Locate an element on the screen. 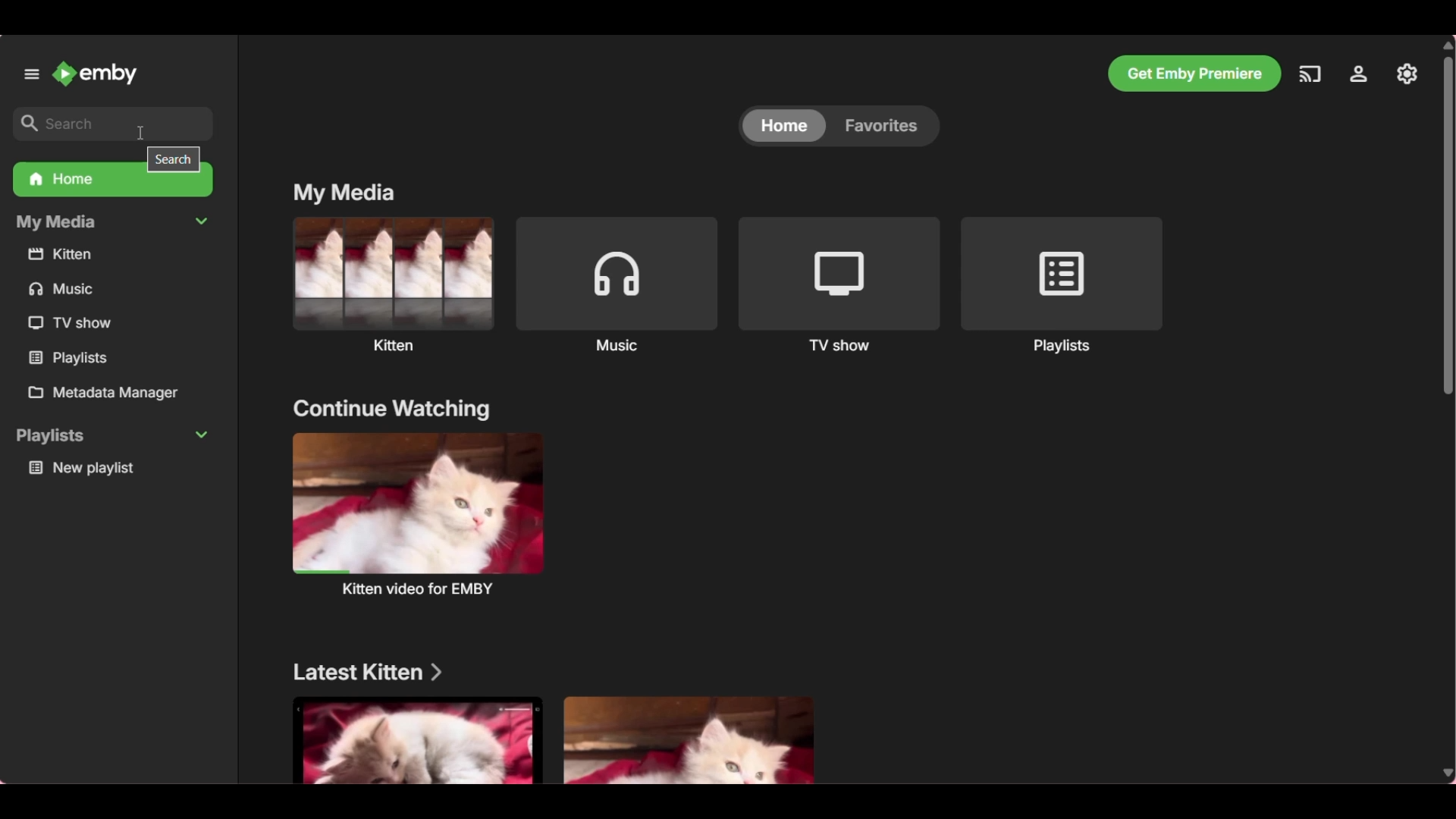 This screenshot has width=1456, height=819. playlists is located at coordinates (80, 357).